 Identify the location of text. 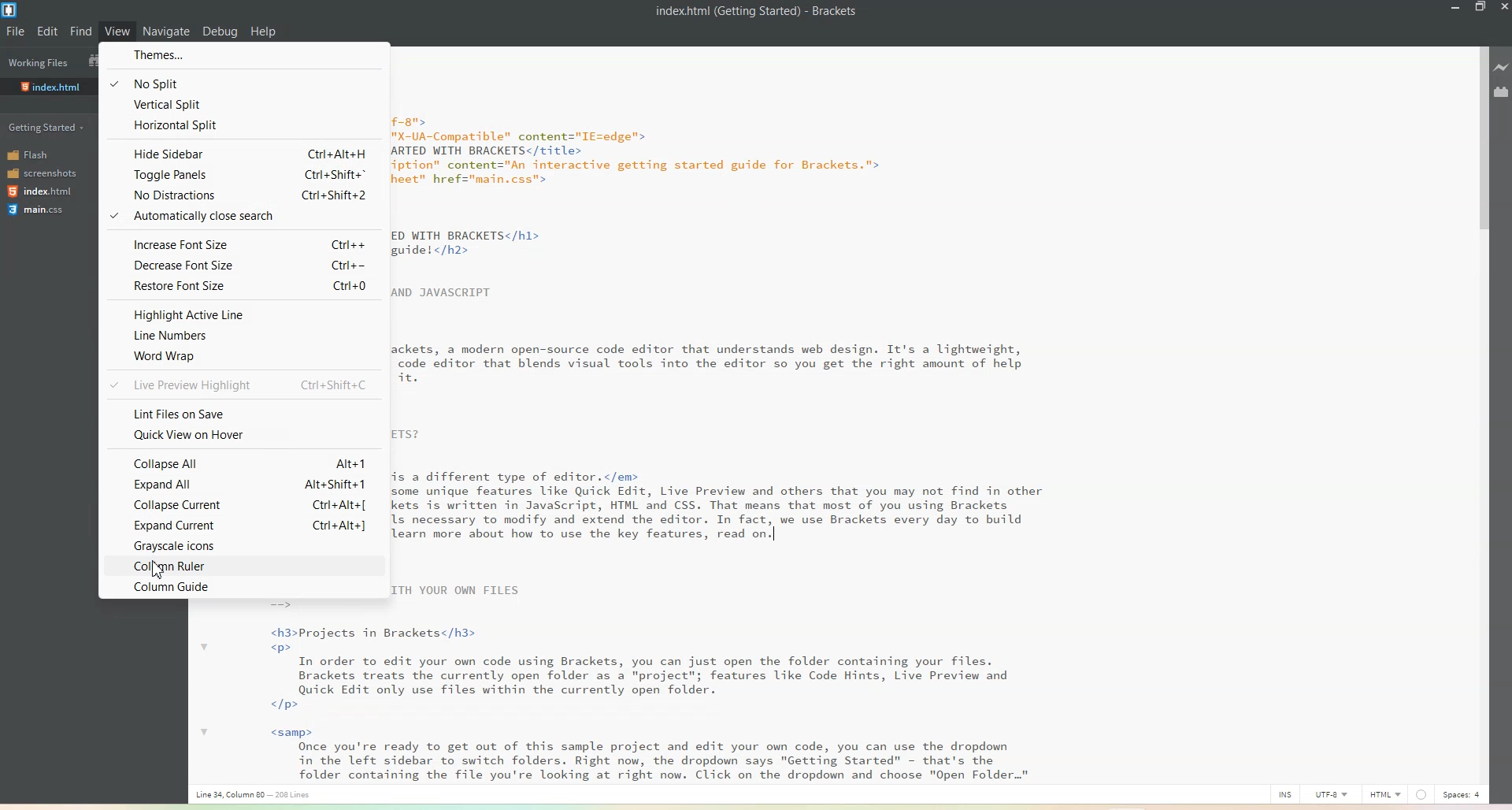
(291, 693).